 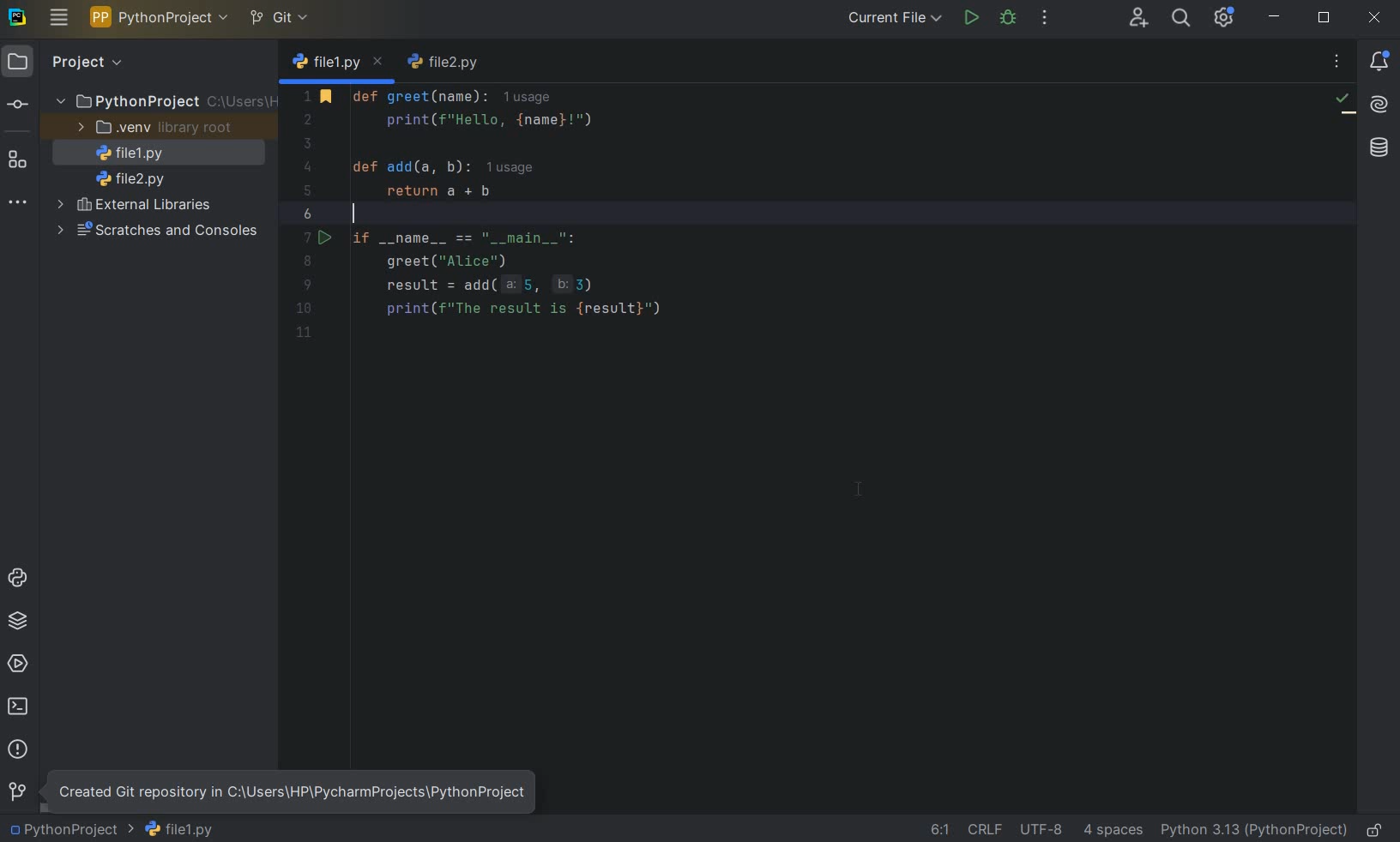 What do you see at coordinates (1137, 20) in the screenshot?
I see `code with me` at bounding box center [1137, 20].